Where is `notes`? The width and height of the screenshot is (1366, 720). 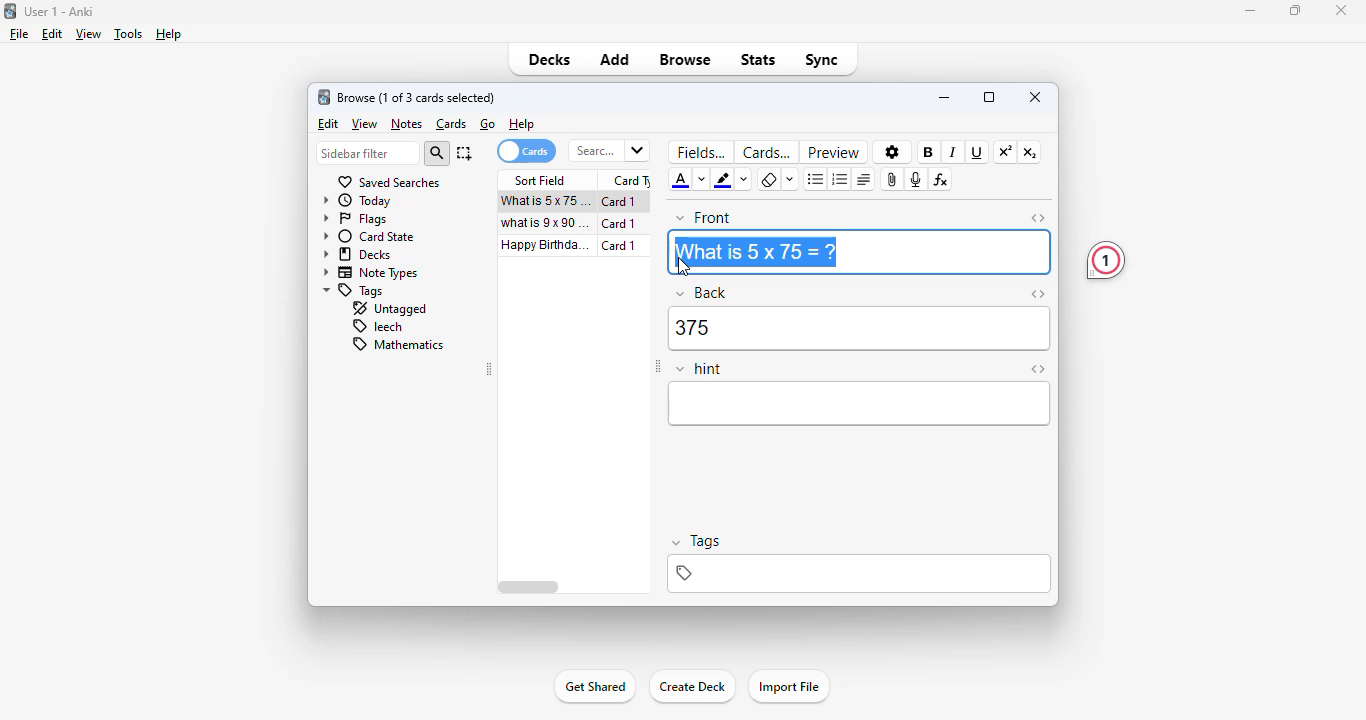
notes is located at coordinates (406, 124).